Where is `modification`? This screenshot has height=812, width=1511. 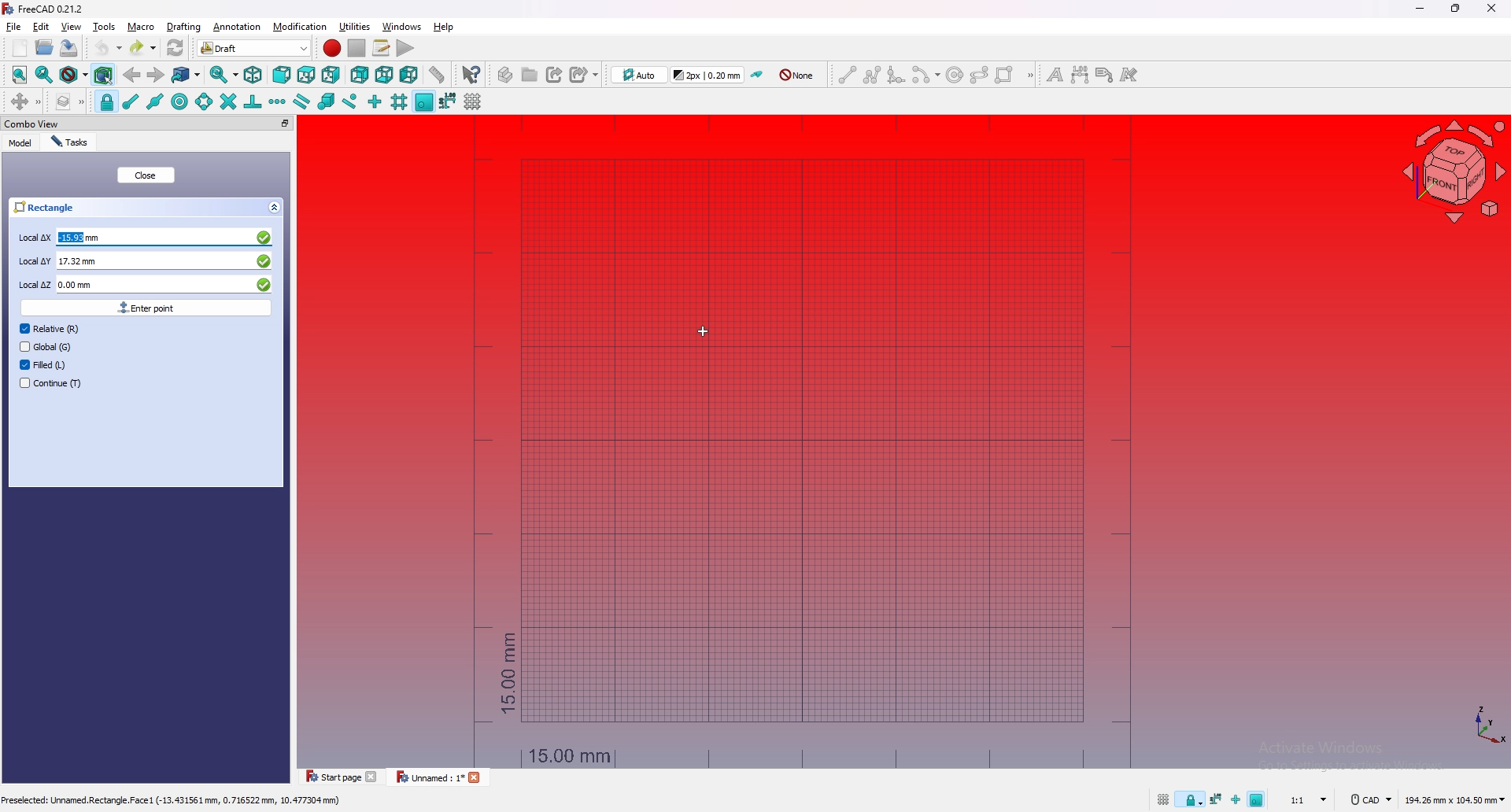
modification is located at coordinates (301, 27).